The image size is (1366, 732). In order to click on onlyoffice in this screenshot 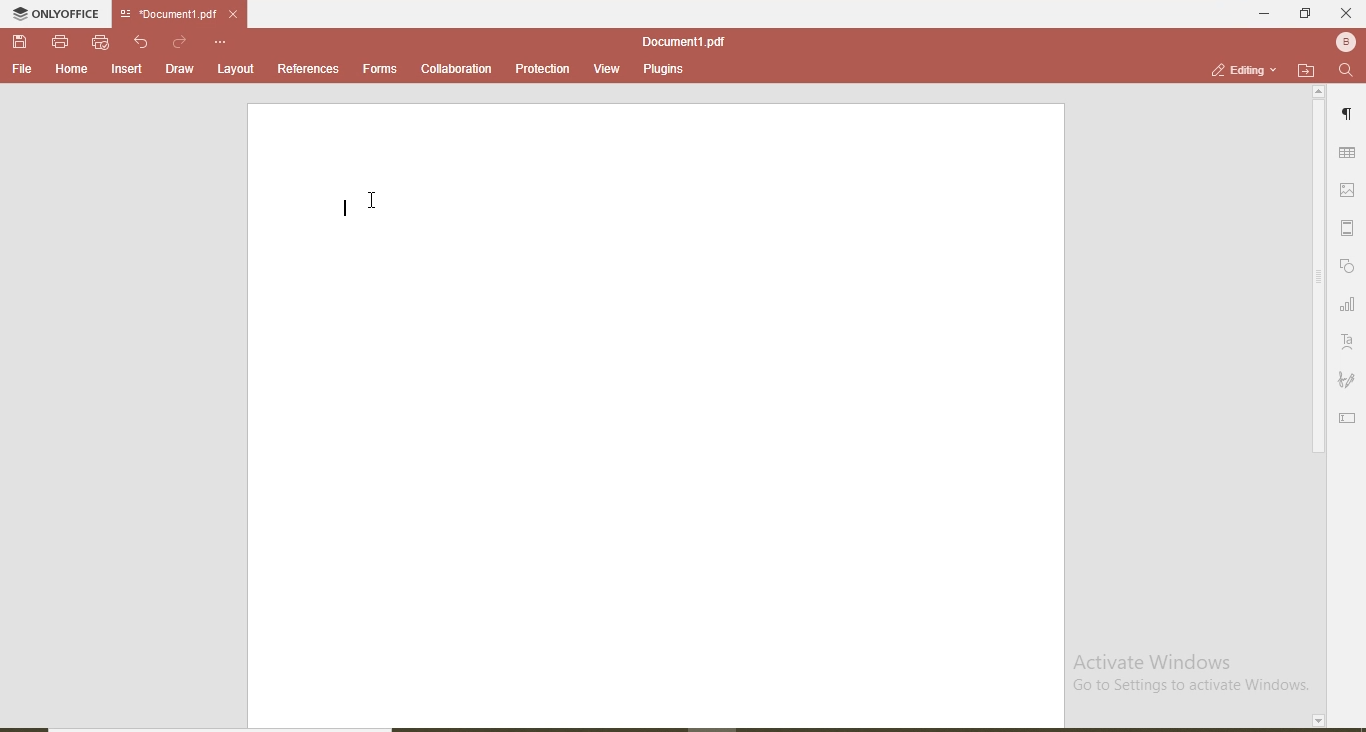, I will do `click(59, 16)`.